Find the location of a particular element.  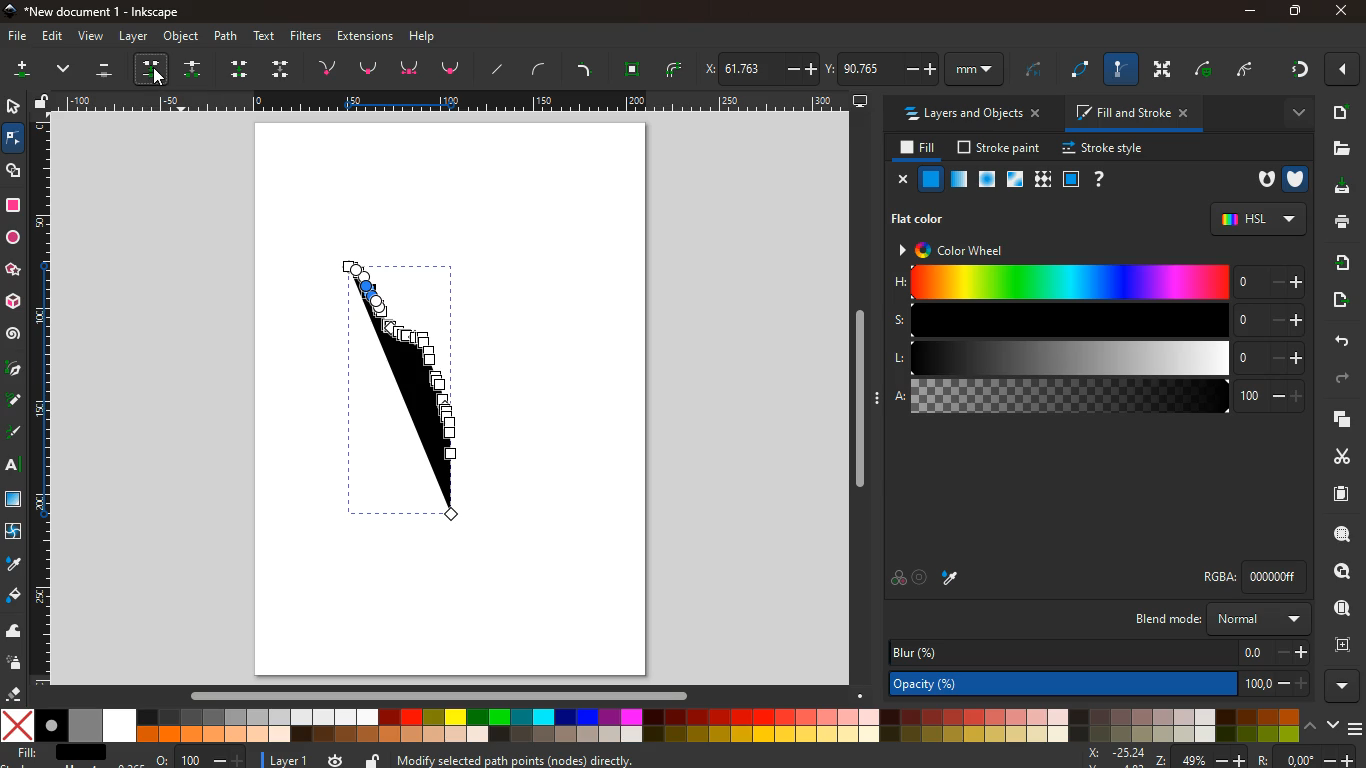

spray is located at coordinates (18, 663).